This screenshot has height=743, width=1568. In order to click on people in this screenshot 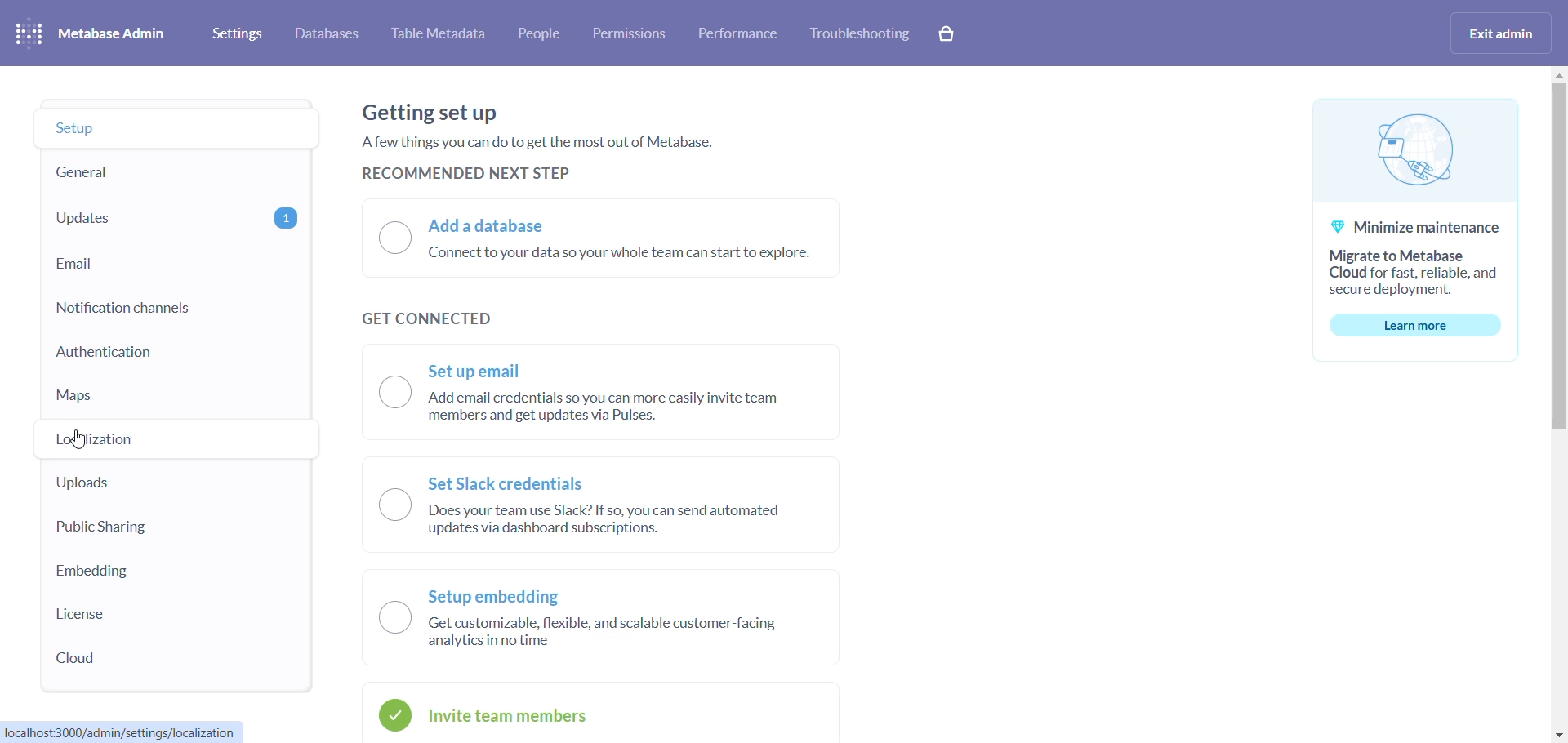, I will do `click(543, 33)`.